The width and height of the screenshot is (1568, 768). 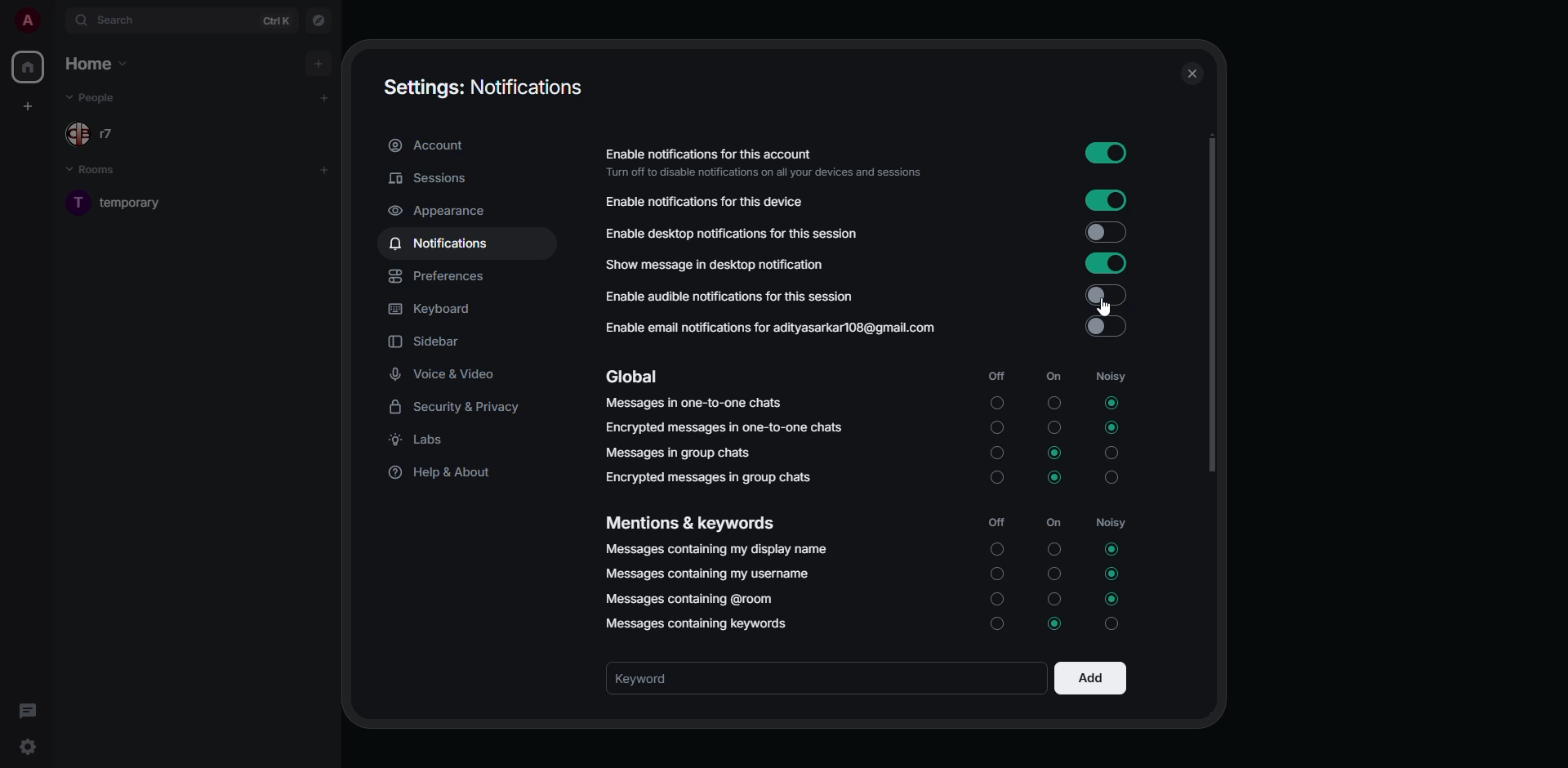 I want to click on selected, so click(x=1112, y=550).